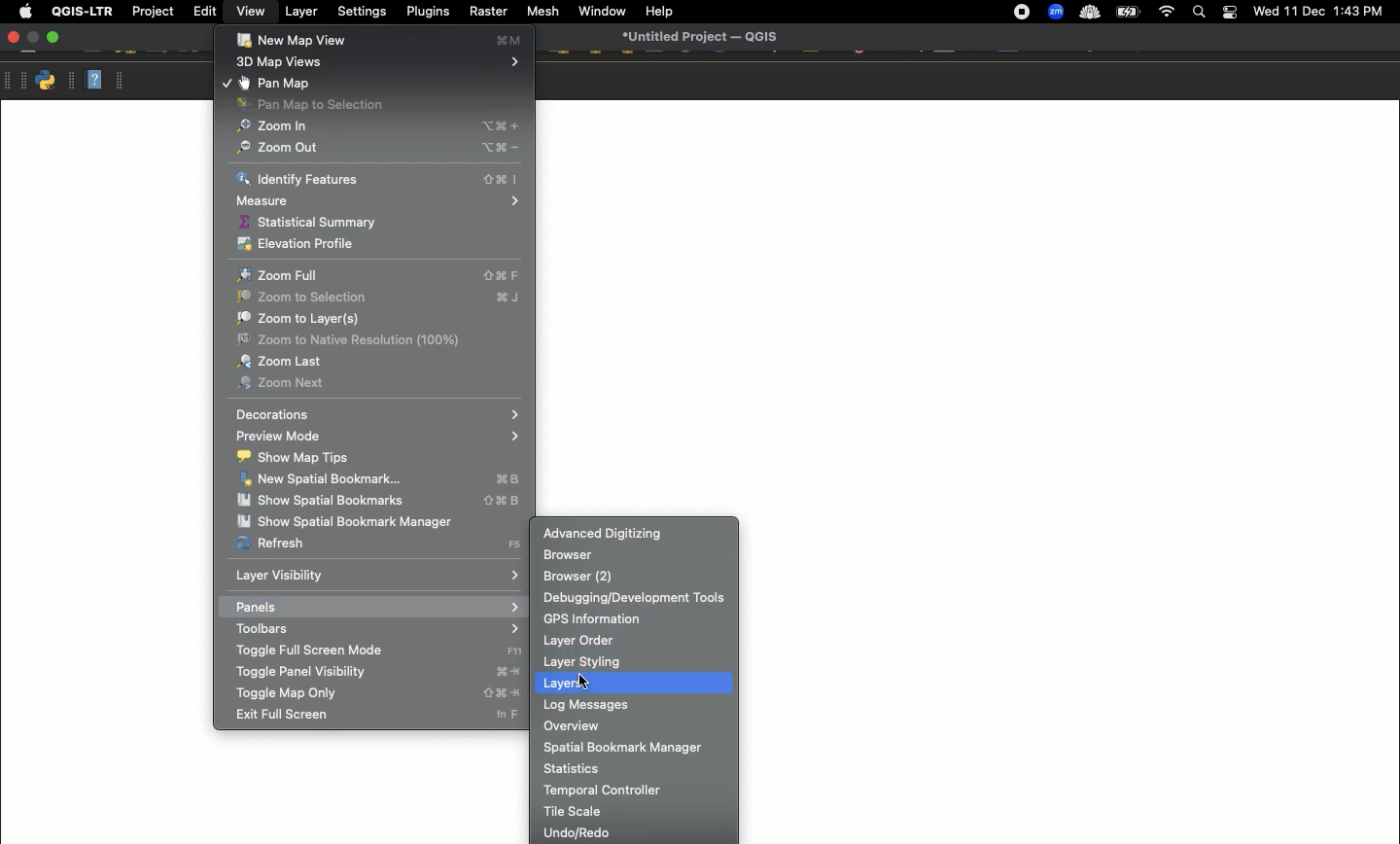  I want to click on Browser(2), so click(633, 576).